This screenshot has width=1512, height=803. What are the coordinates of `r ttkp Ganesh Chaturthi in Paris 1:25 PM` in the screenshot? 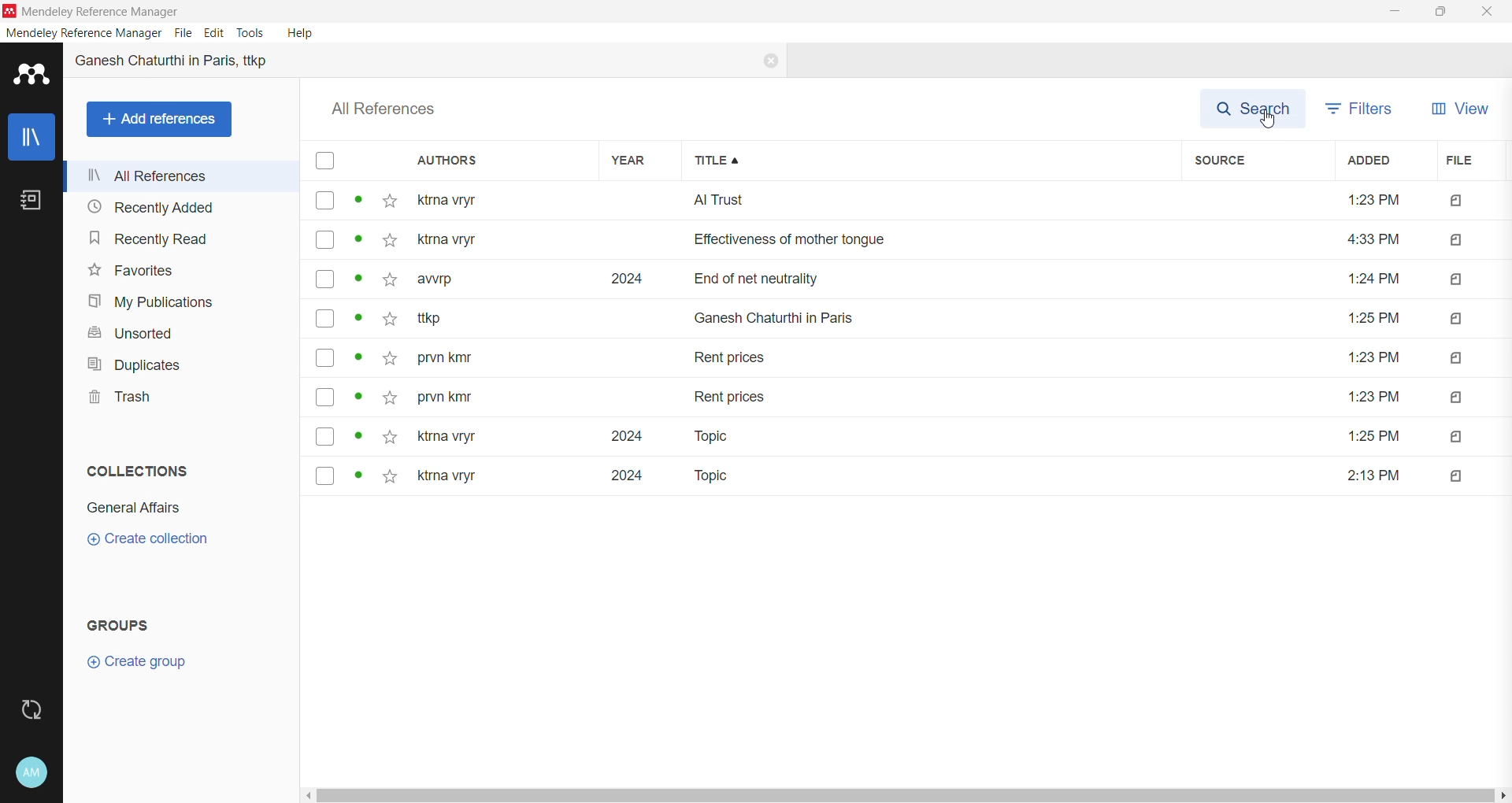 It's located at (909, 318).